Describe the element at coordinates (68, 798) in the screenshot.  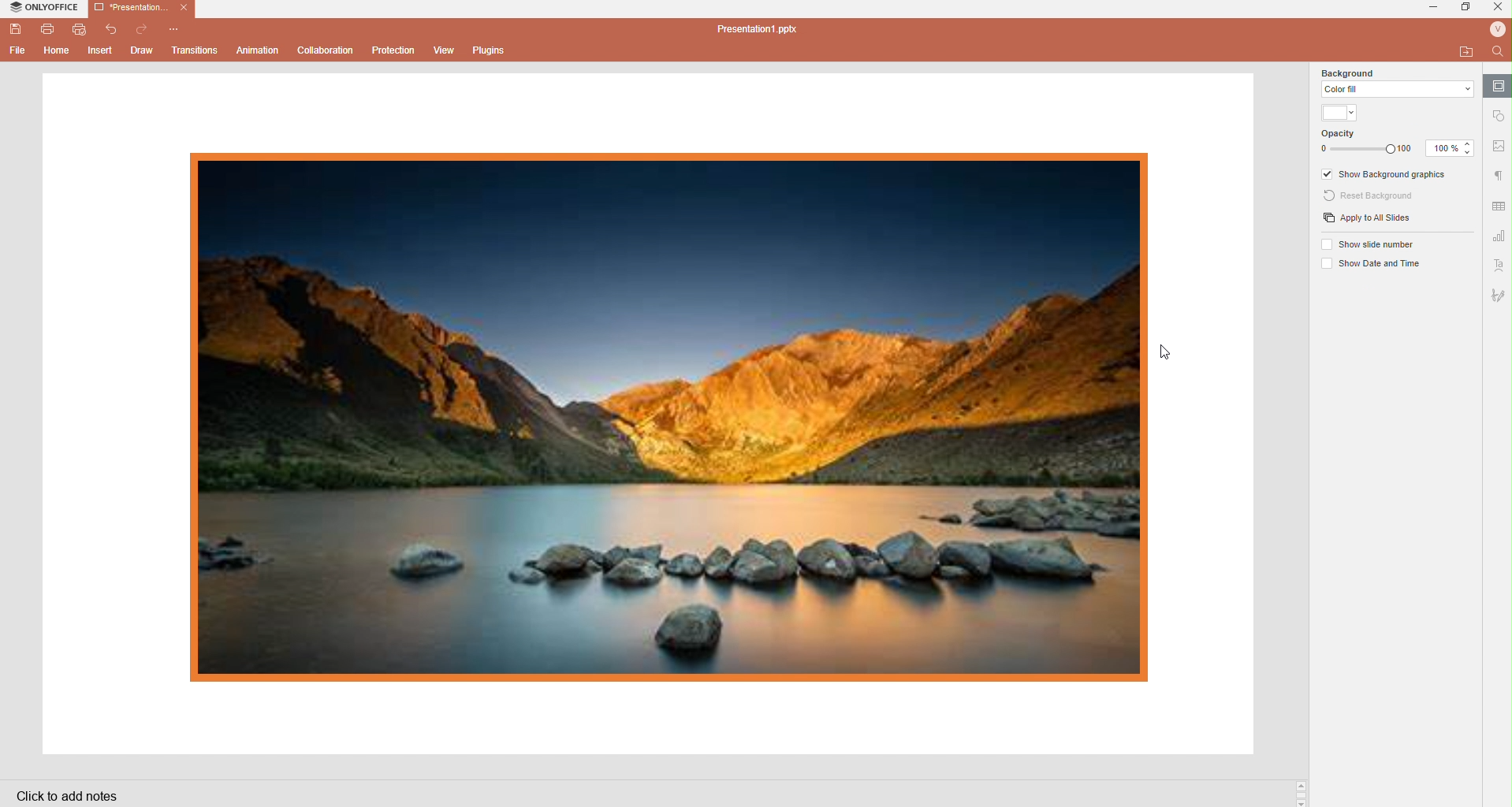
I see `Click to add notes` at that location.